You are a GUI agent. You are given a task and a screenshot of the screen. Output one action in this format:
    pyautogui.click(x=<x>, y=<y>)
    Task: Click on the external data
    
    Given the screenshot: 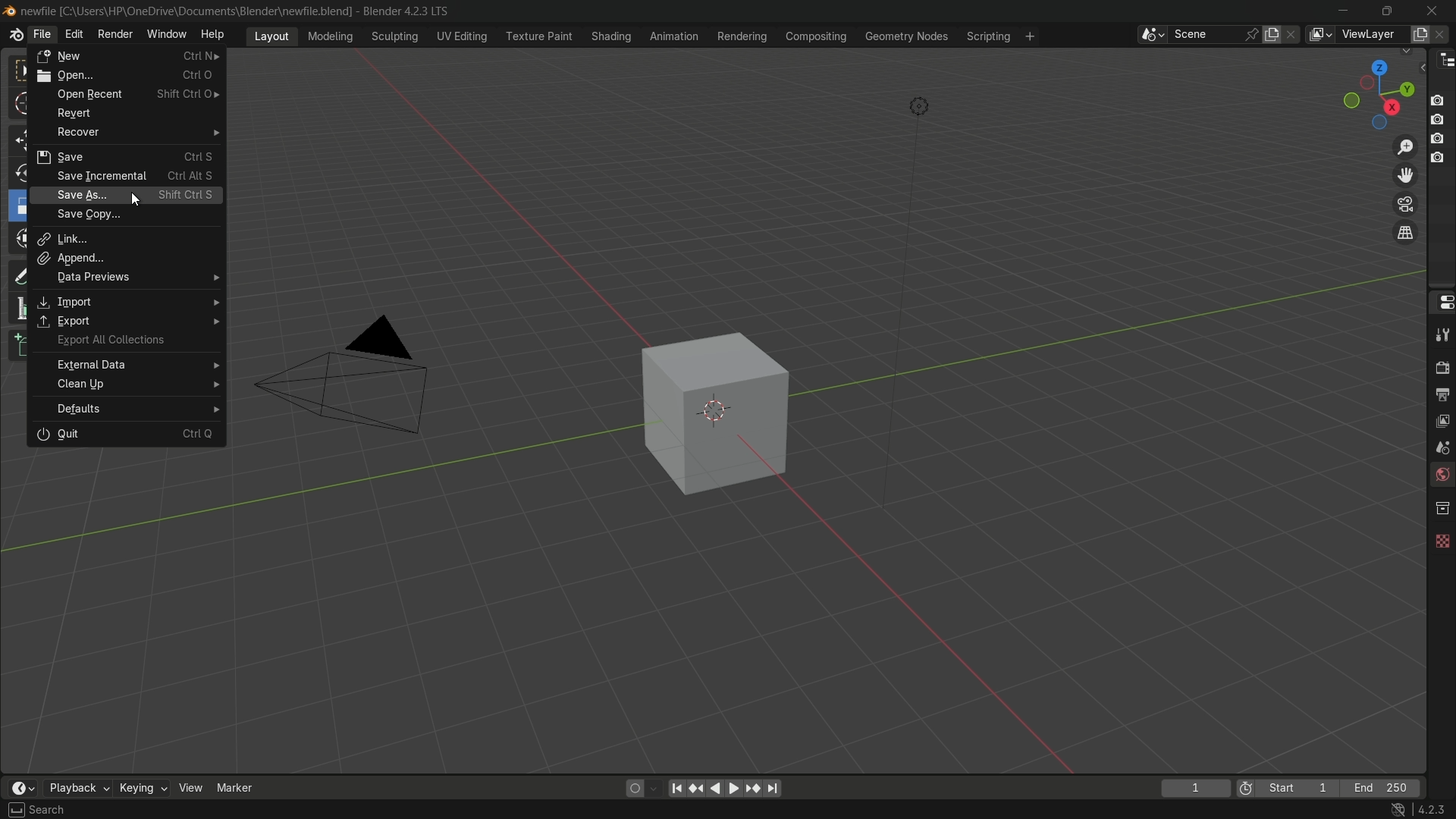 What is the action you would take?
    pyautogui.click(x=125, y=364)
    